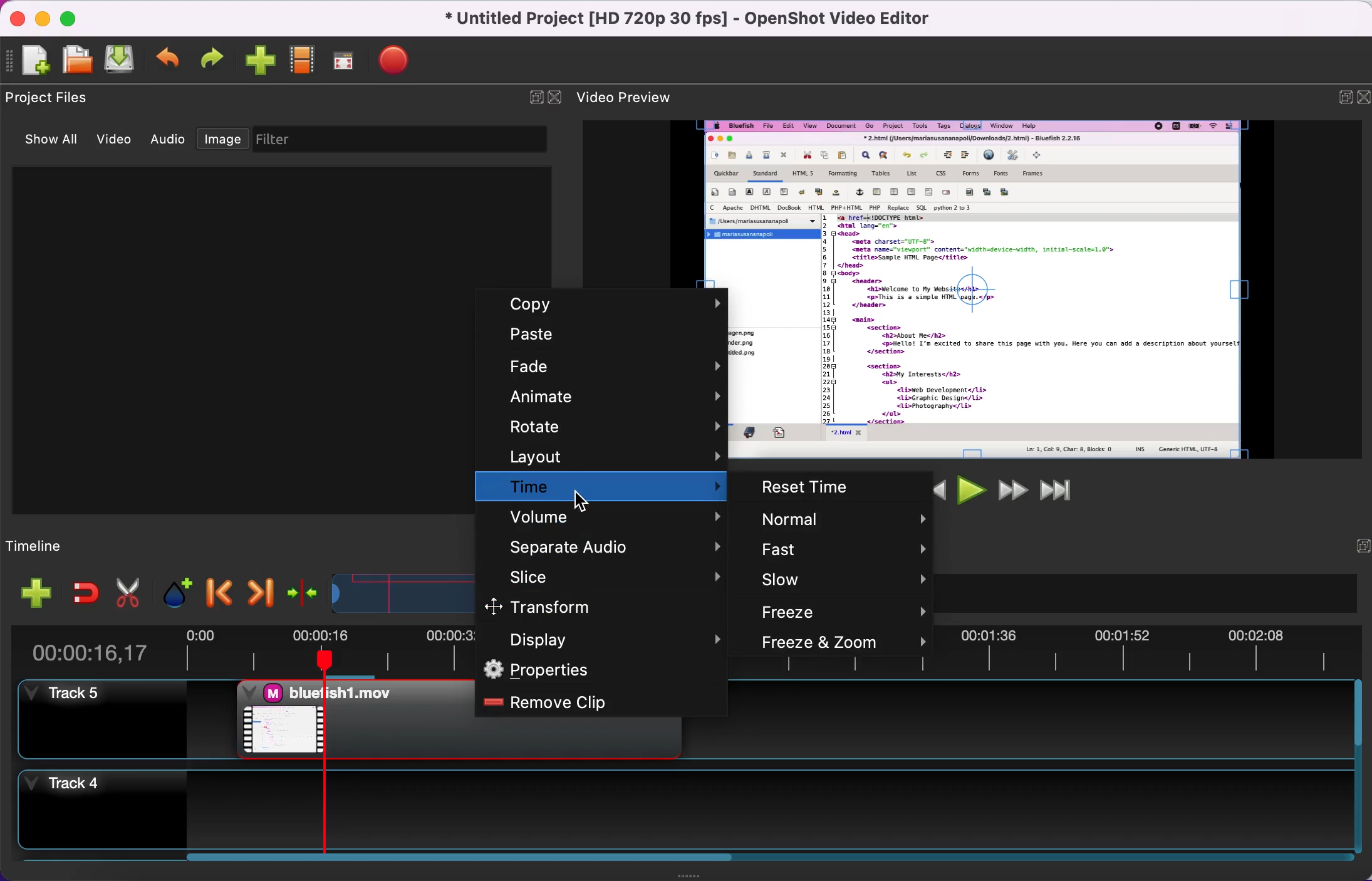 The height and width of the screenshot is (881, 1372). Describe the element at coordinates (845, 644) in the screenshot. I see `freeze and zoom` at that location.